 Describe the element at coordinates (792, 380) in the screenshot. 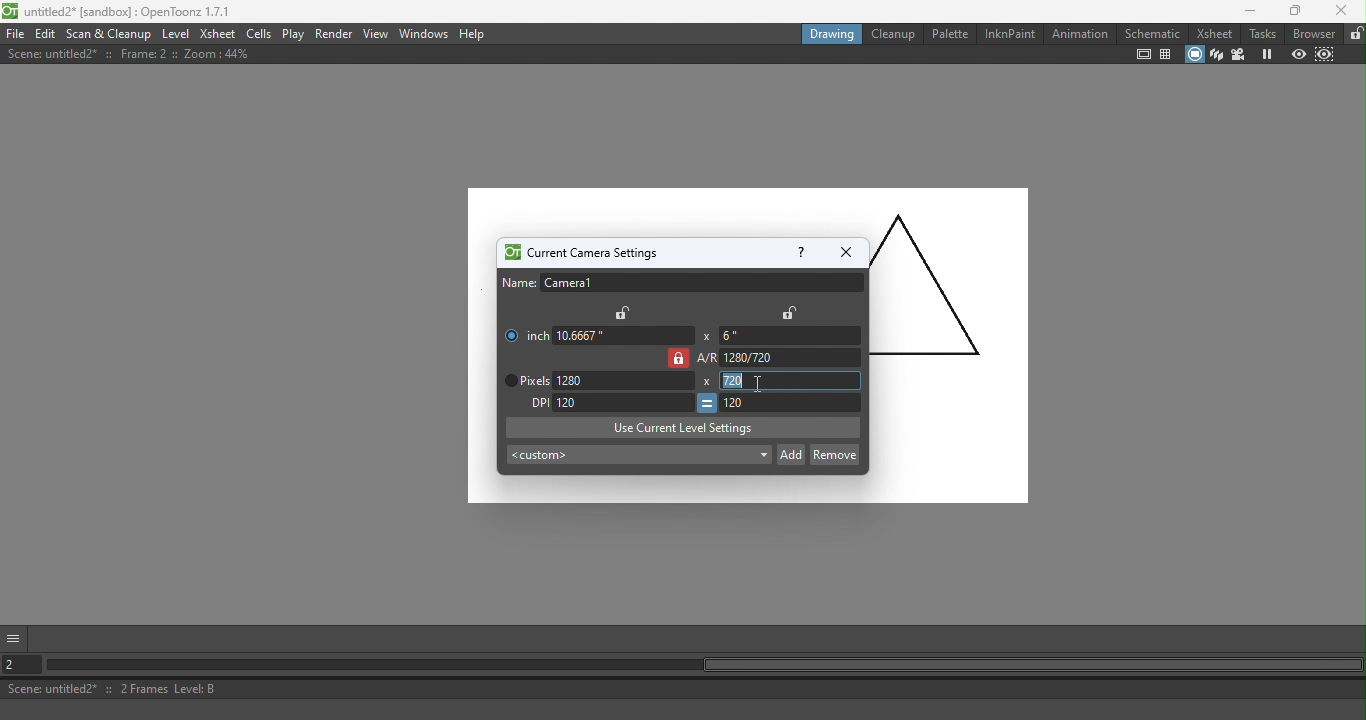

I see `Enter pixels` at that location.